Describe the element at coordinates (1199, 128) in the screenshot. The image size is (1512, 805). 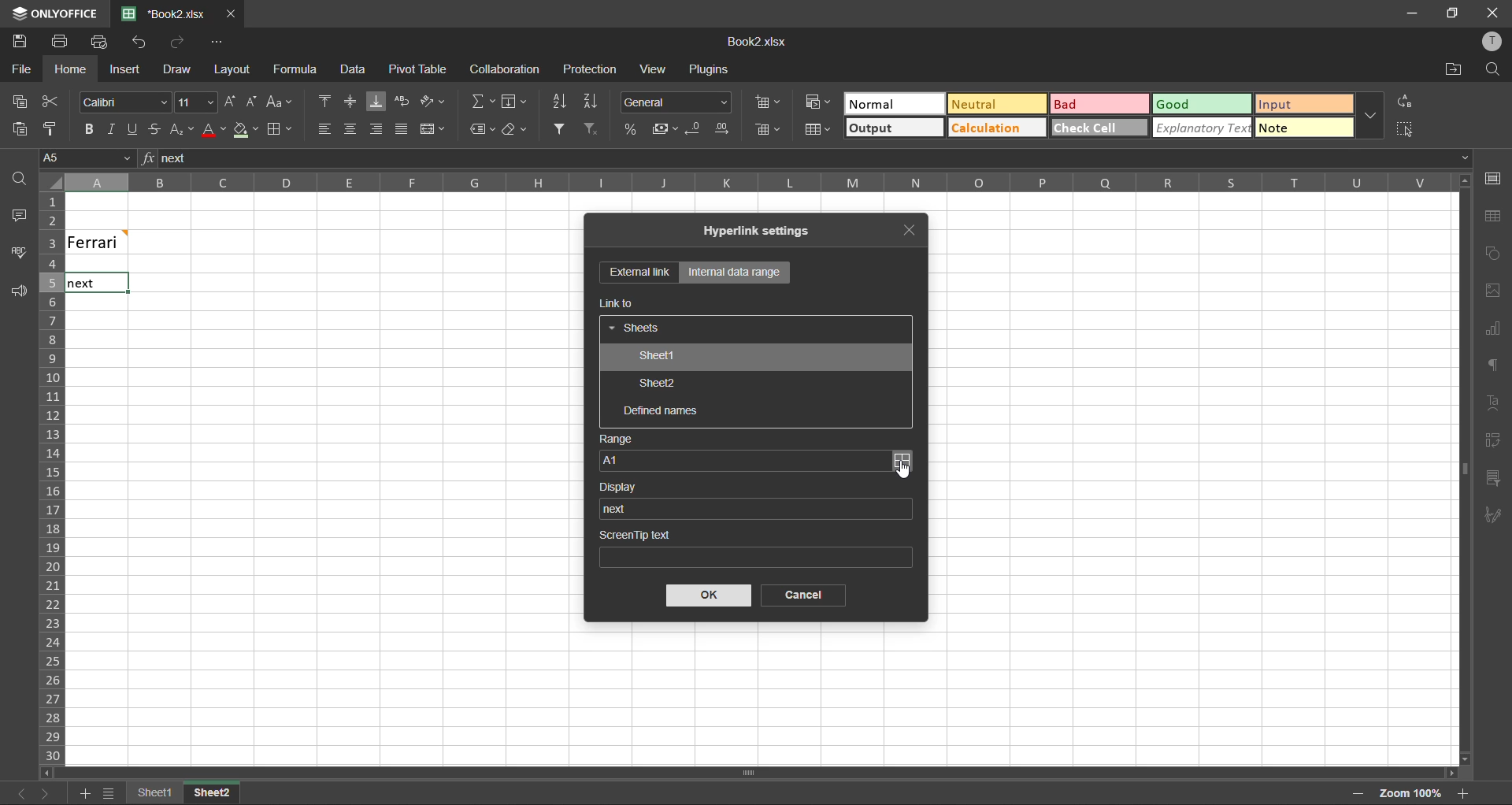
I see `explanatory text` at that location.